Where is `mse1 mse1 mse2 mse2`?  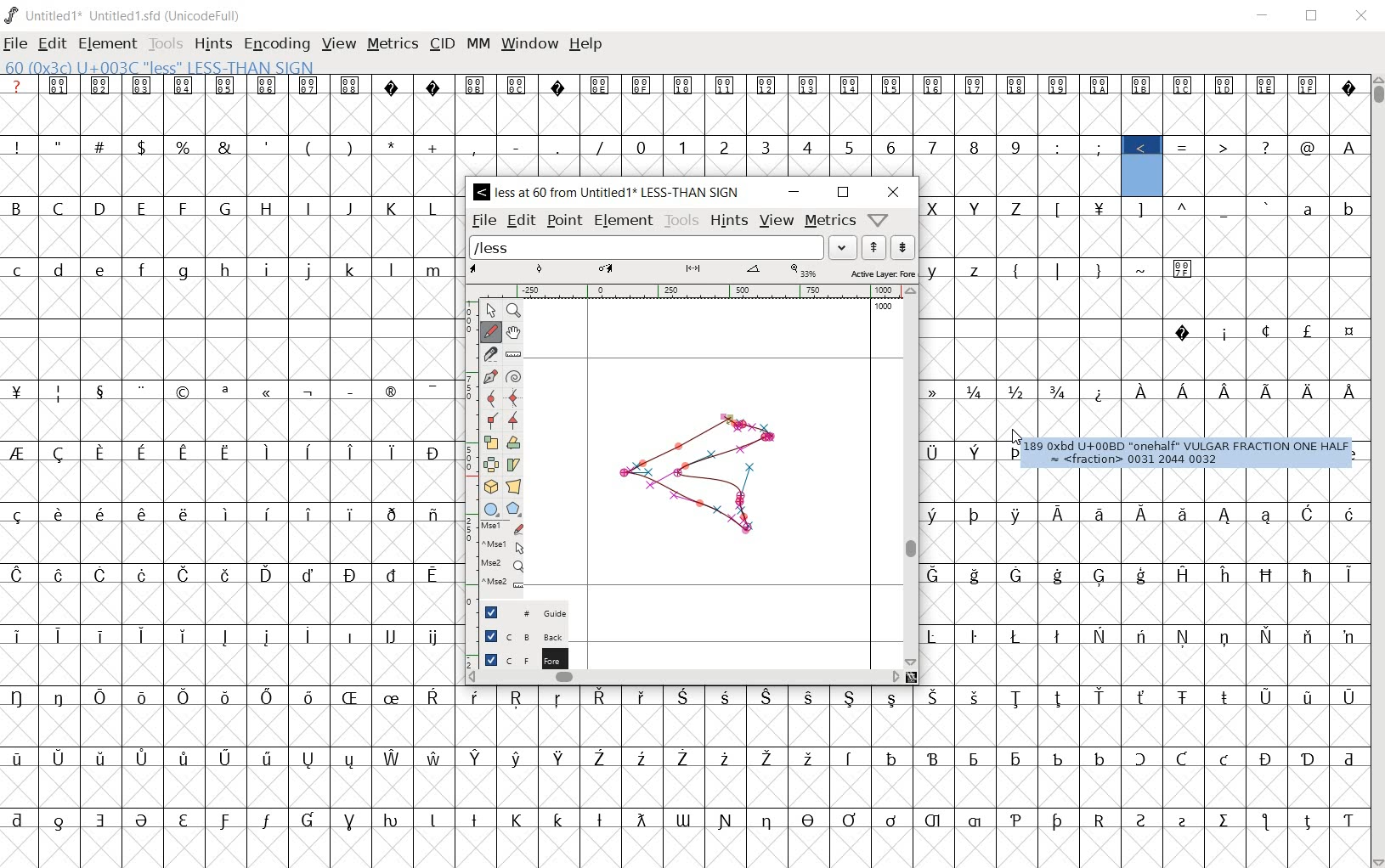
mse1 mse1 mse2 mse2 is located at coordinates (506, 555).